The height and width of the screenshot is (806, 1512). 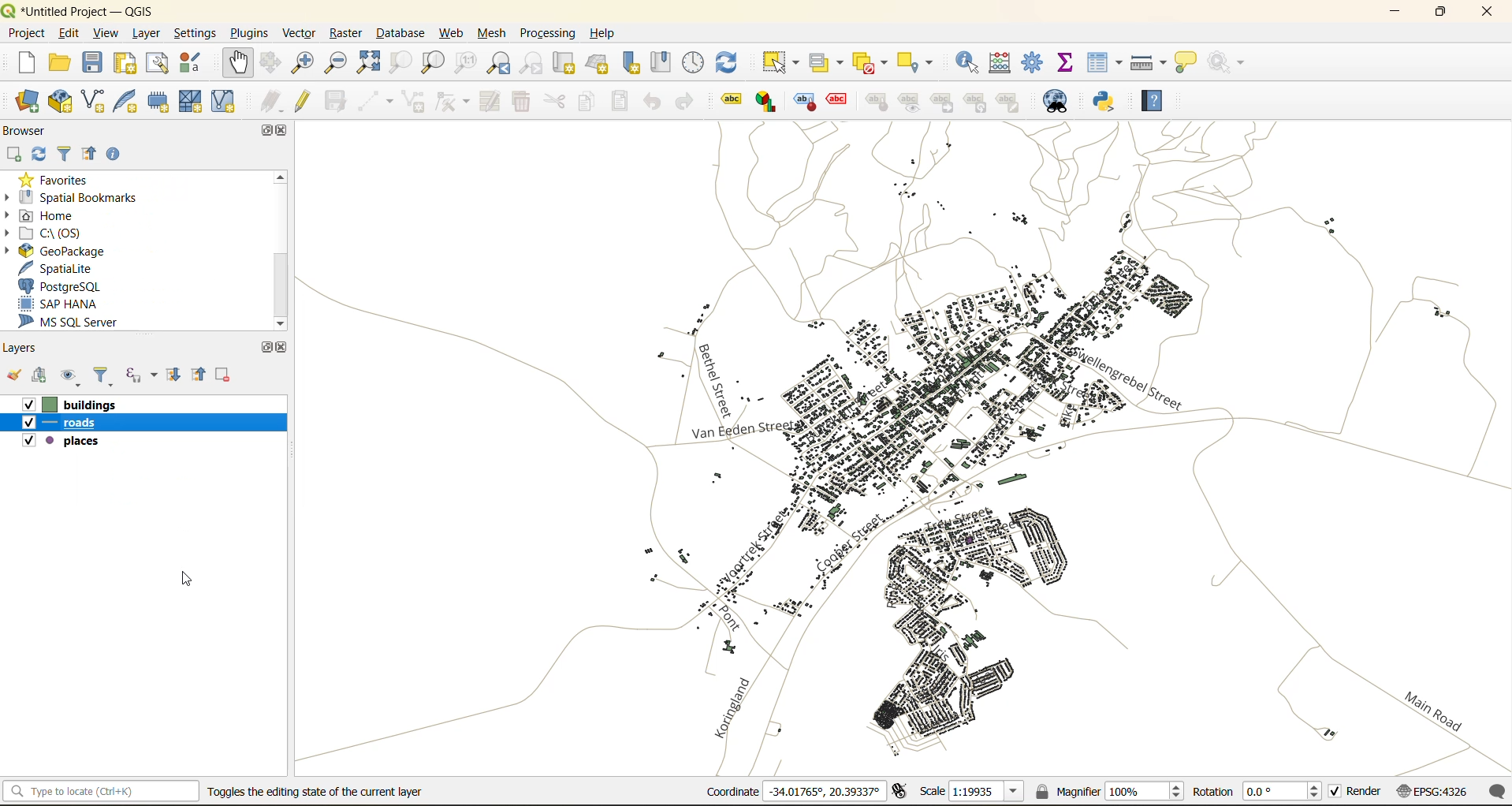 What do you see at coordinates (966, 64) in the screenshot?
I see `identify features` at bounding box center [966, 64].